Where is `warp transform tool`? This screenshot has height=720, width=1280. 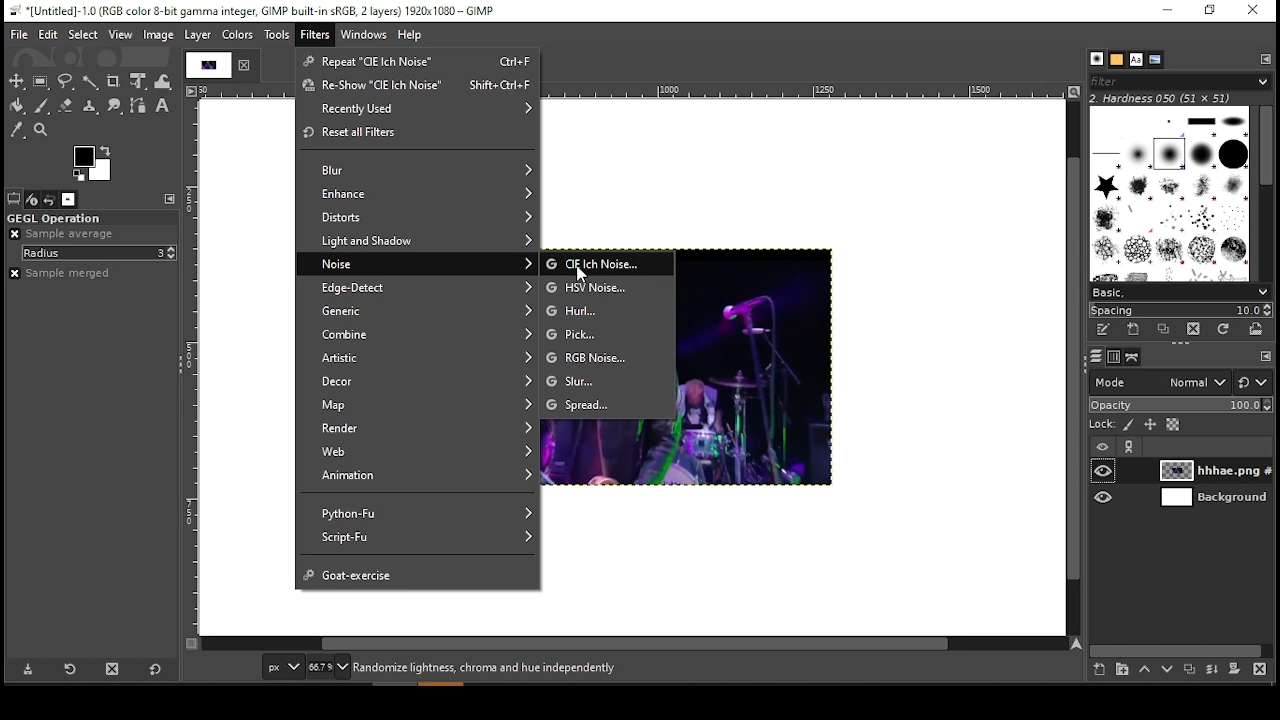
warp transform tool is located at coordinates (163, 80).